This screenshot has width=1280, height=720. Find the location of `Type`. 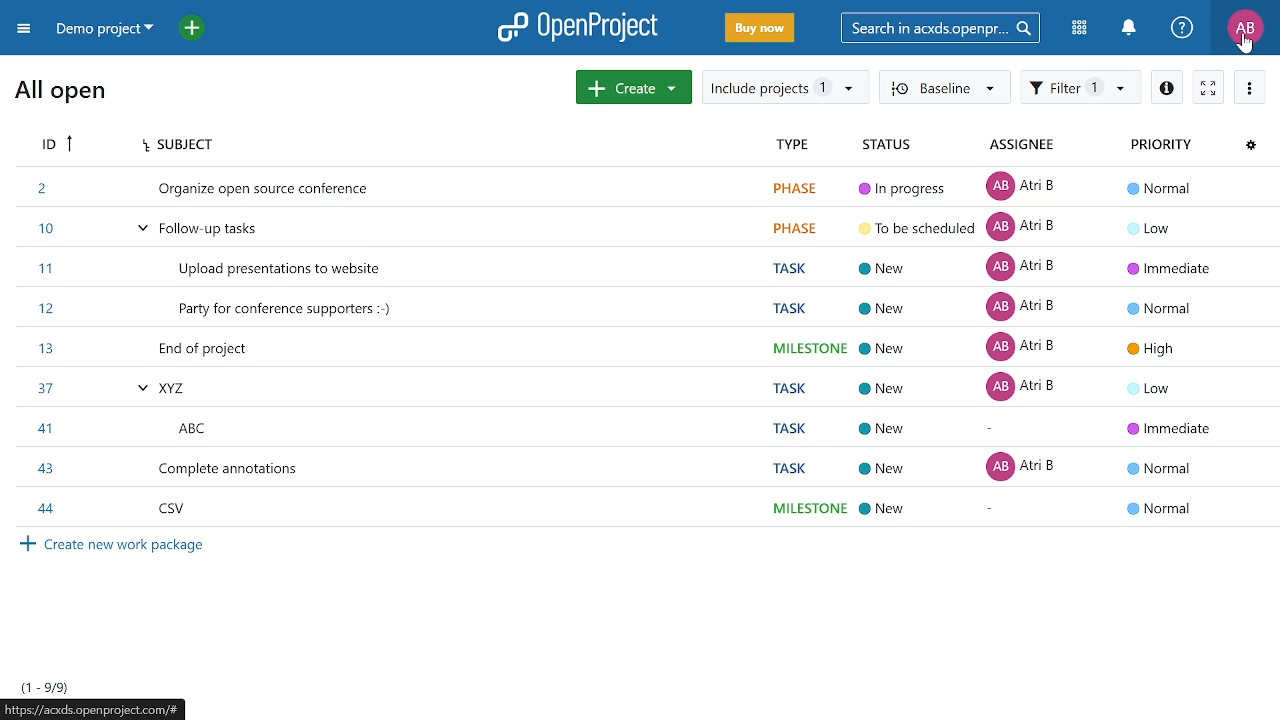

Type is located at coordinates (792, 145).